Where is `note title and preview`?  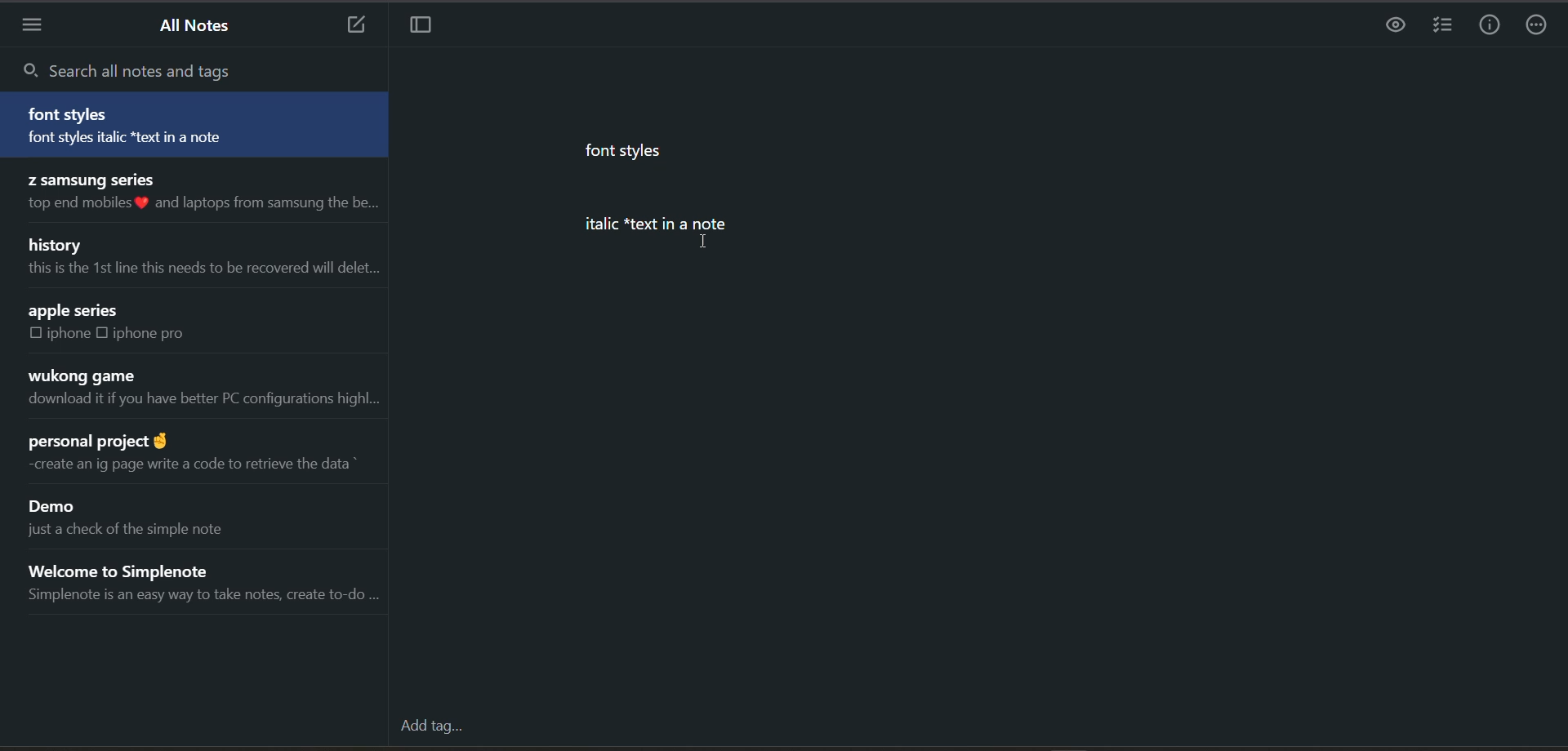
note title and preview is located at coordinates (210, 583).